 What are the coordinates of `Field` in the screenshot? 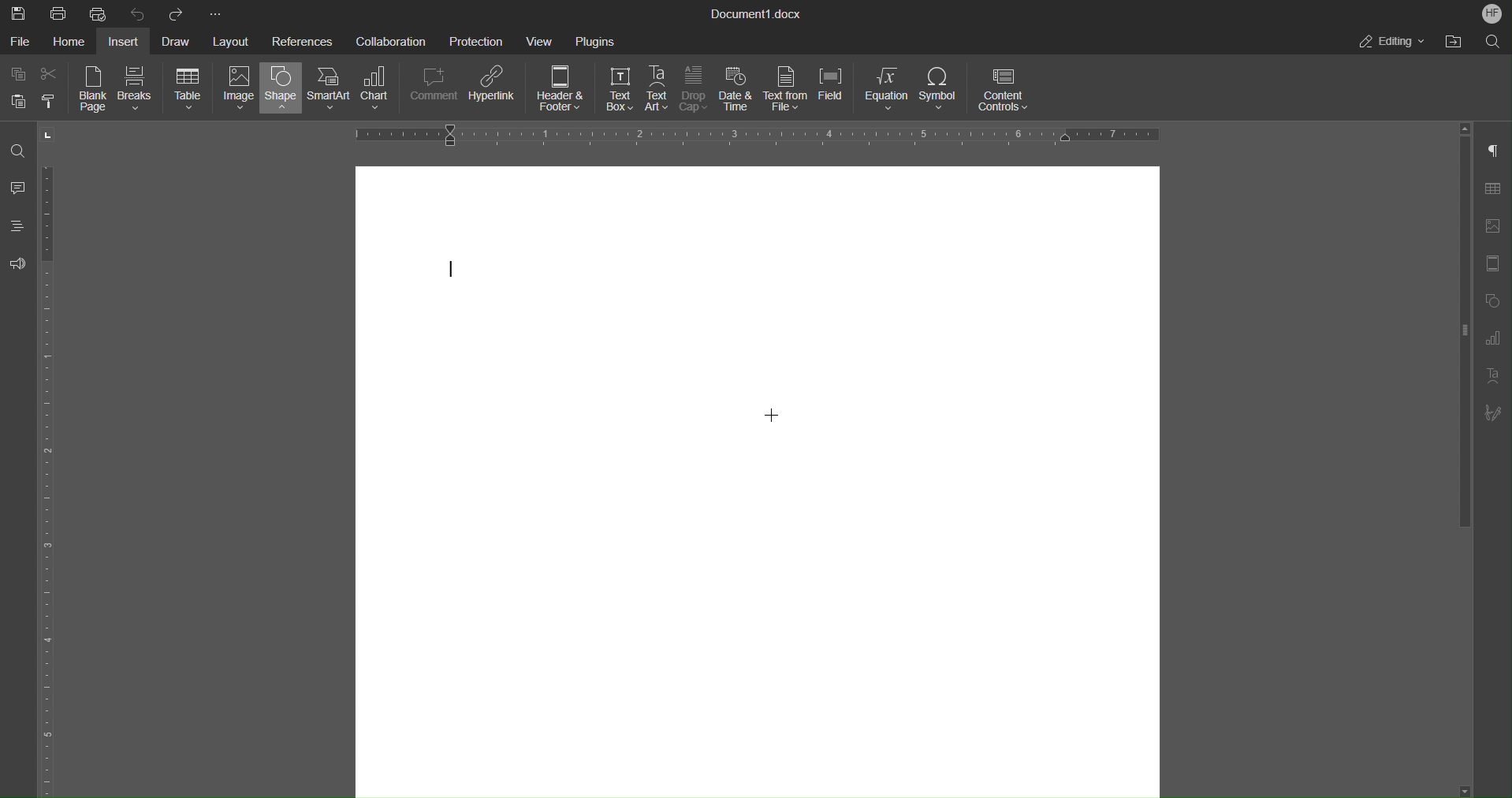 It's located at (836, 91).